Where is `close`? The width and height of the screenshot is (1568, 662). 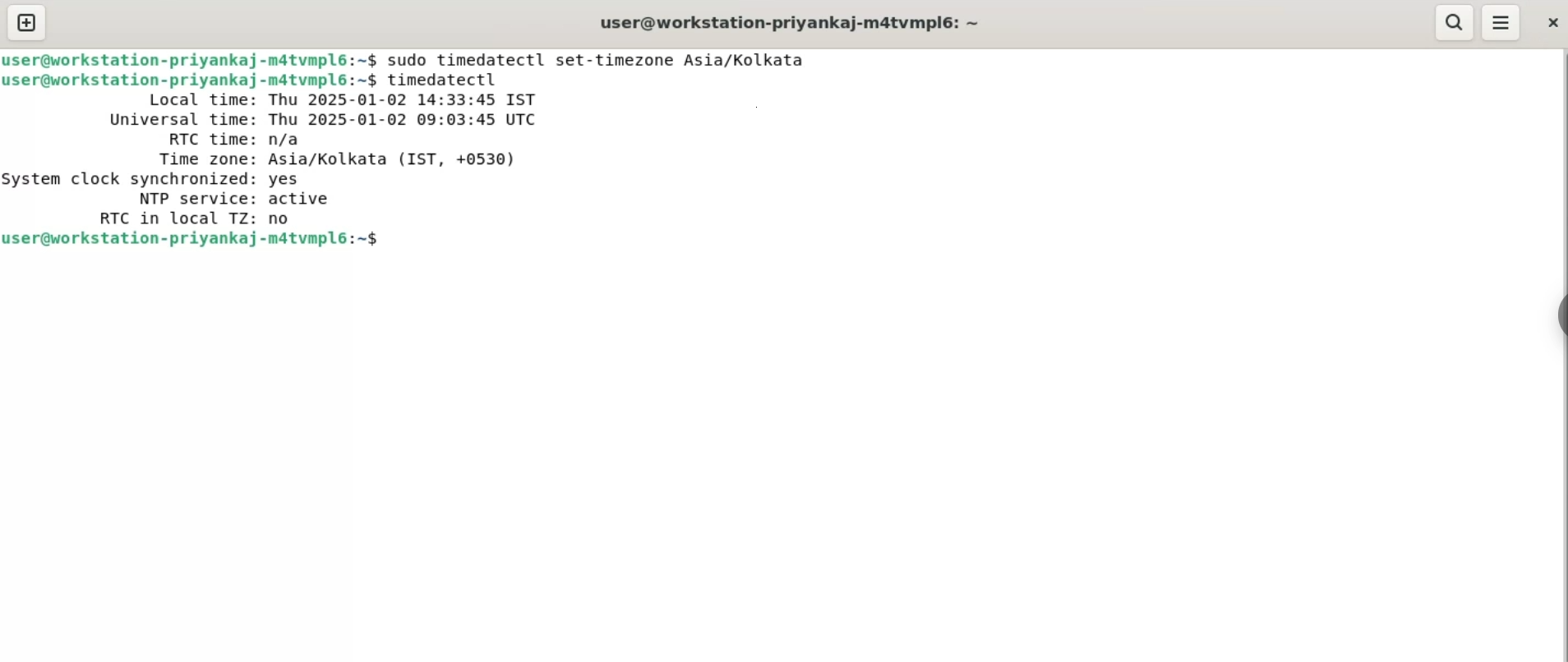 close is located at coordinates (1554, 24).